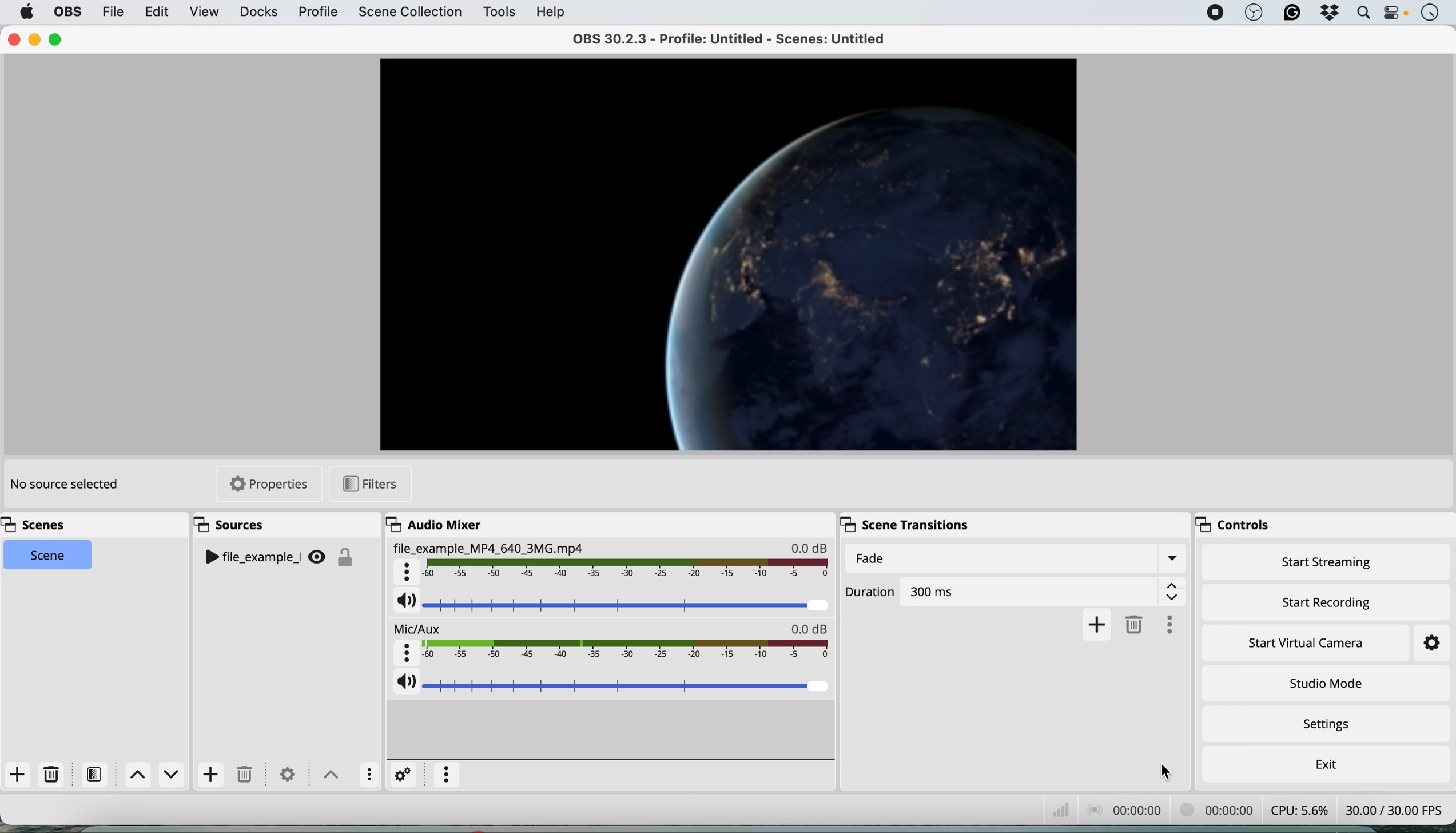 The height and width of the screenshot is (833, 1456). Describe the element at coordinates (409, 13) in the screenshot. I see `scene collection` at that location.